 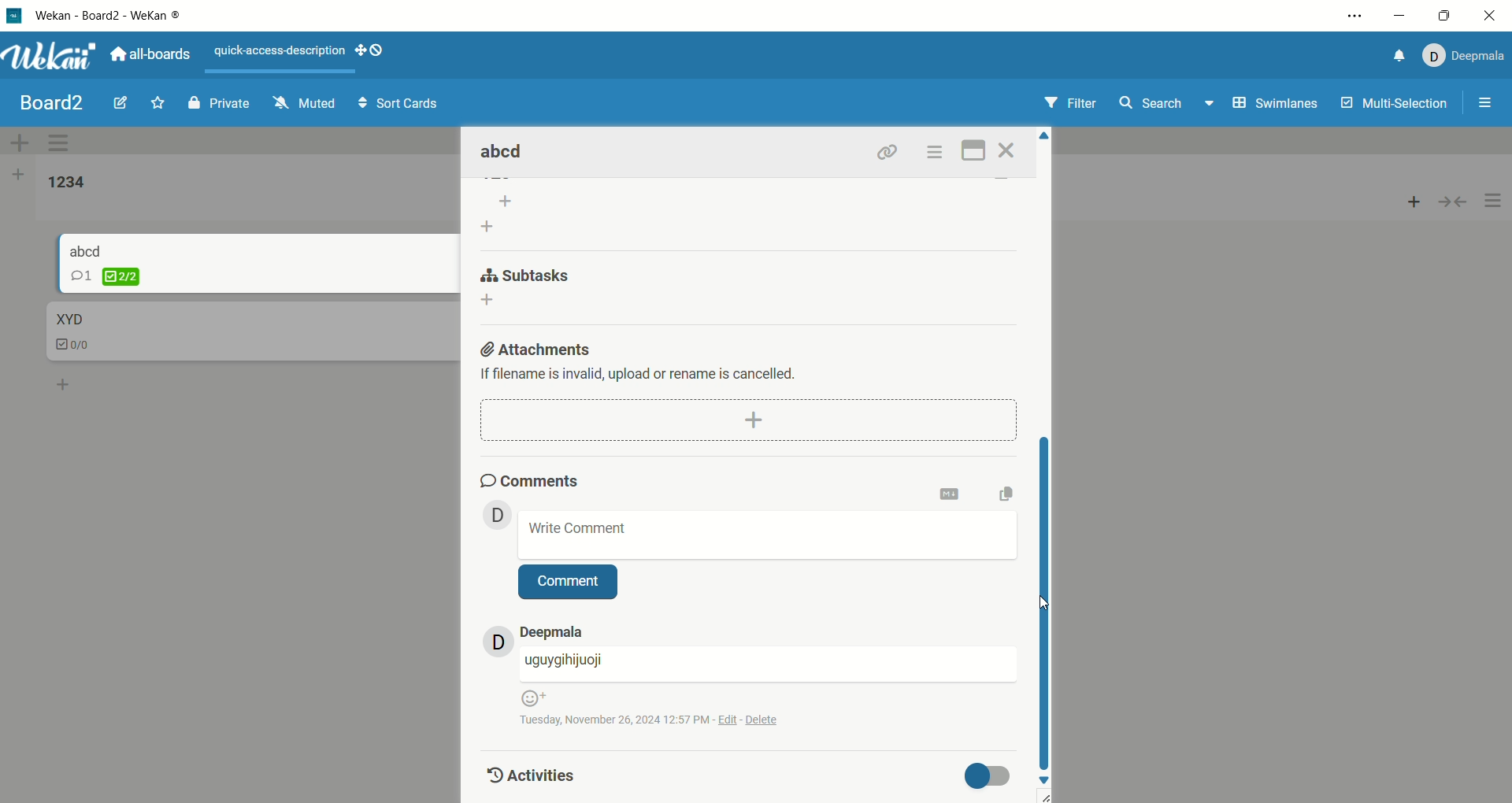 What do you see at coordinates (538, 346) in the screenshot?
I see `attachments` at bounding box center [538, 346].